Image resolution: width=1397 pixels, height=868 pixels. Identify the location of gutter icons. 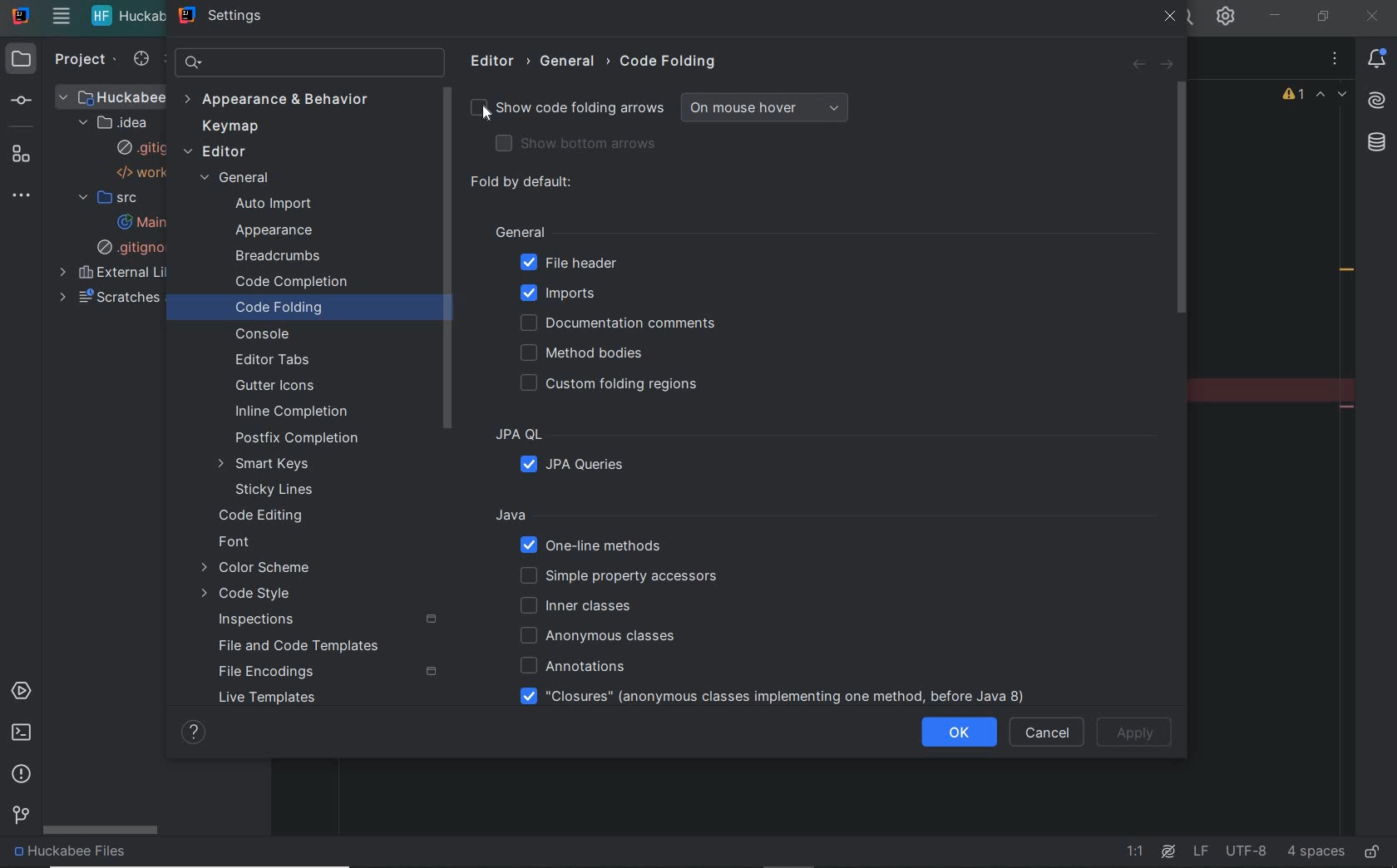
(283, 386).